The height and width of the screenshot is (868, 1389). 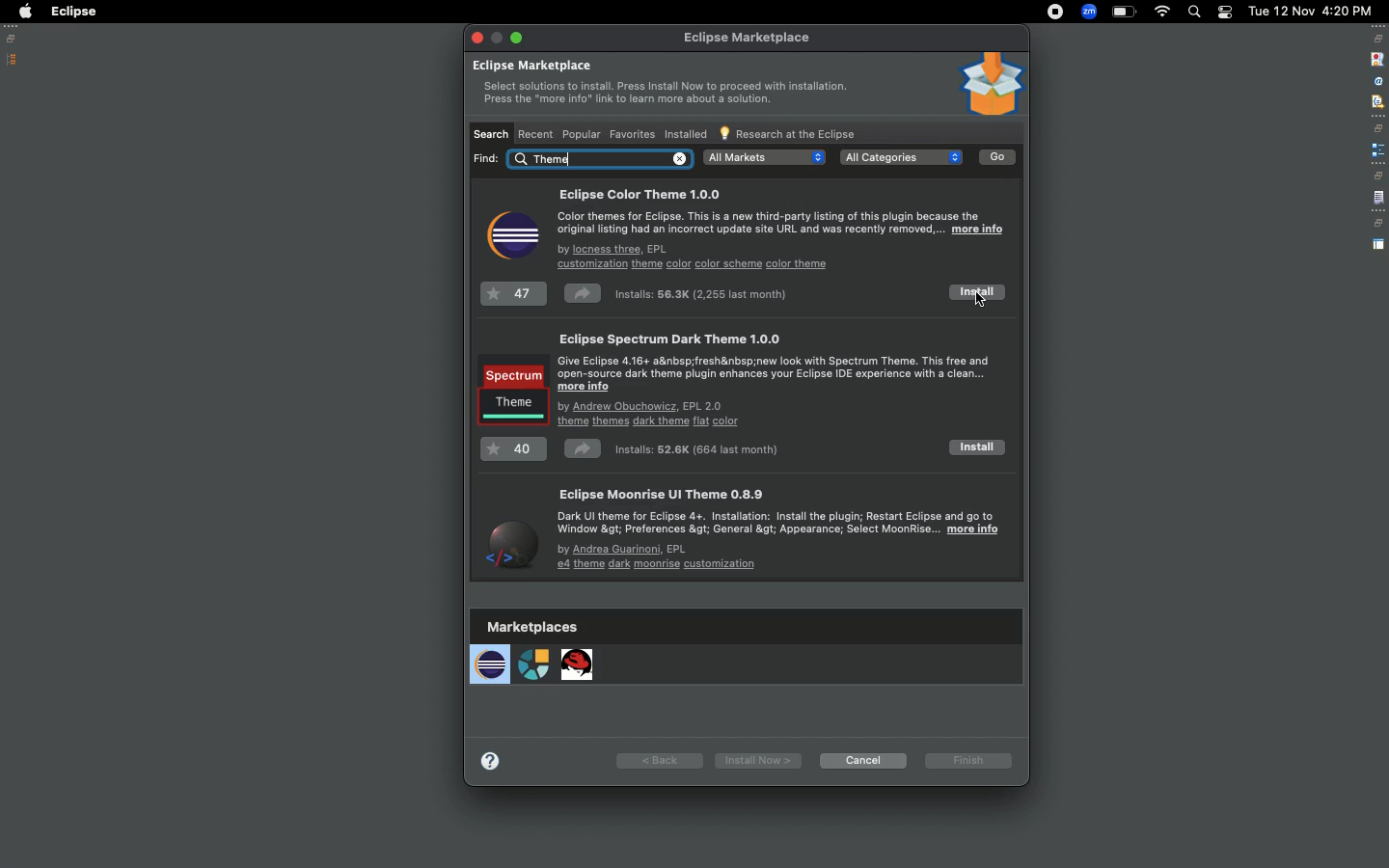 I want to click on Recording, so click(x=1055, y=14).